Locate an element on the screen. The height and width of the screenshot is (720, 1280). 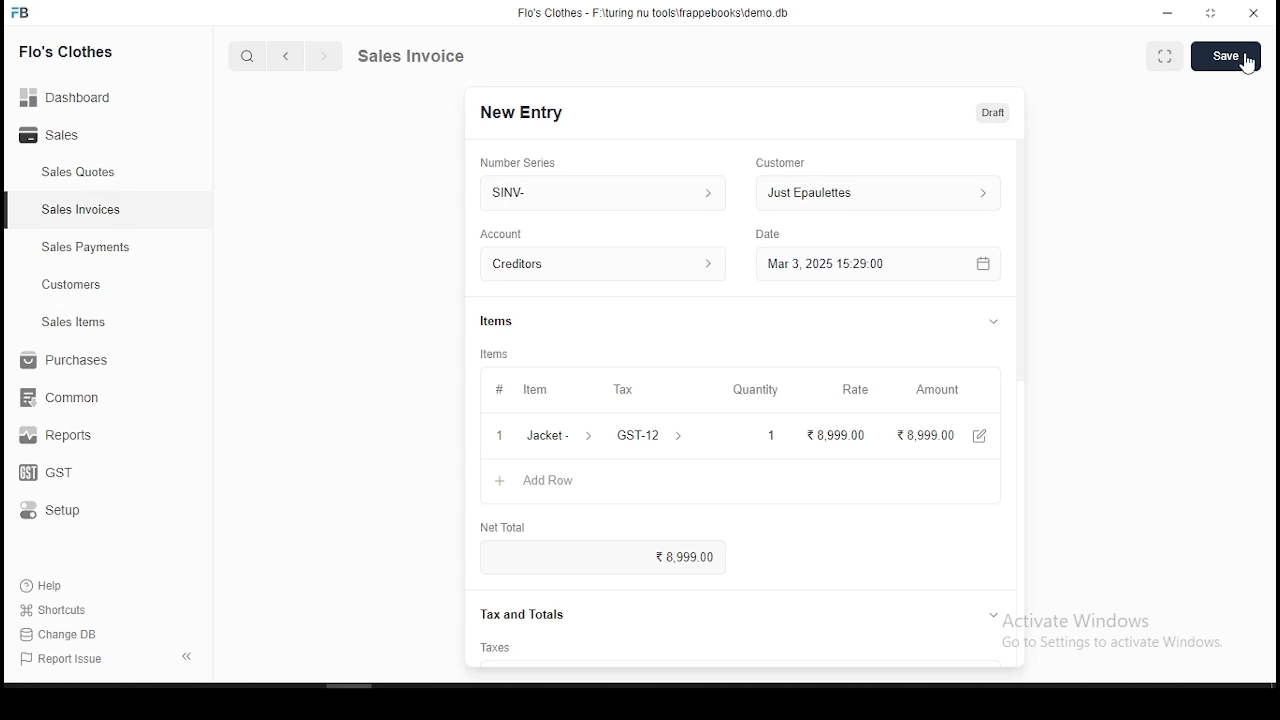
type is located at coordinates (769, 231).